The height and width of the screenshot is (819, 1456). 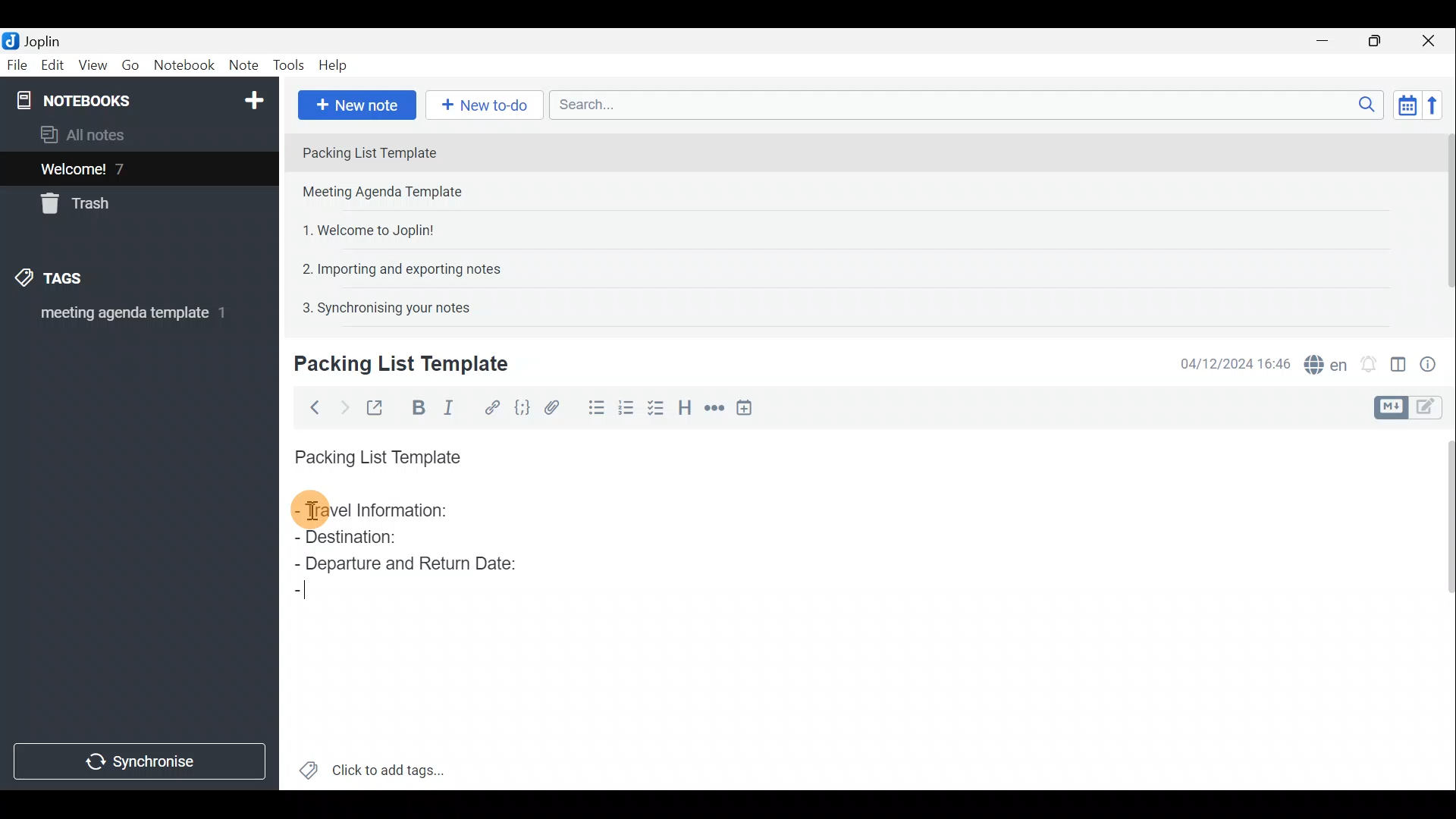 I want to click on Scroll bar, so click(x=1442, y=607).